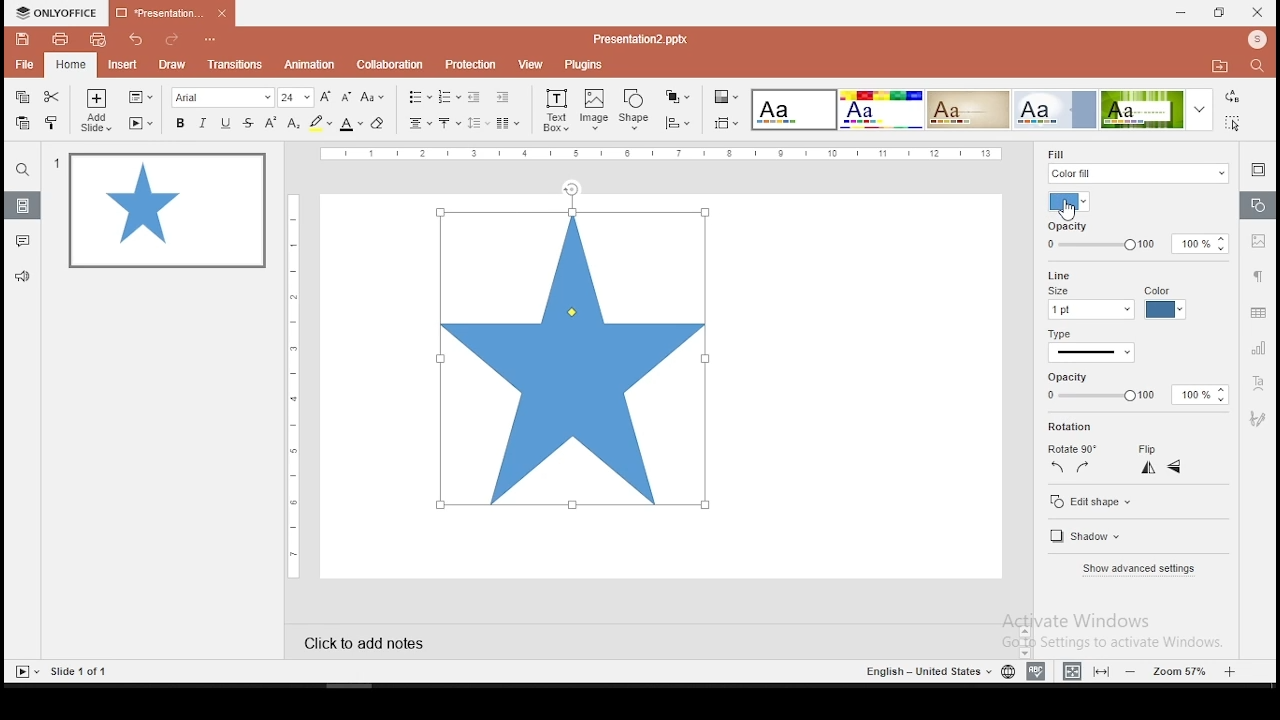 This screenshot has height=720, width=1280. I want to click on zoom level, so click(1182, 670).